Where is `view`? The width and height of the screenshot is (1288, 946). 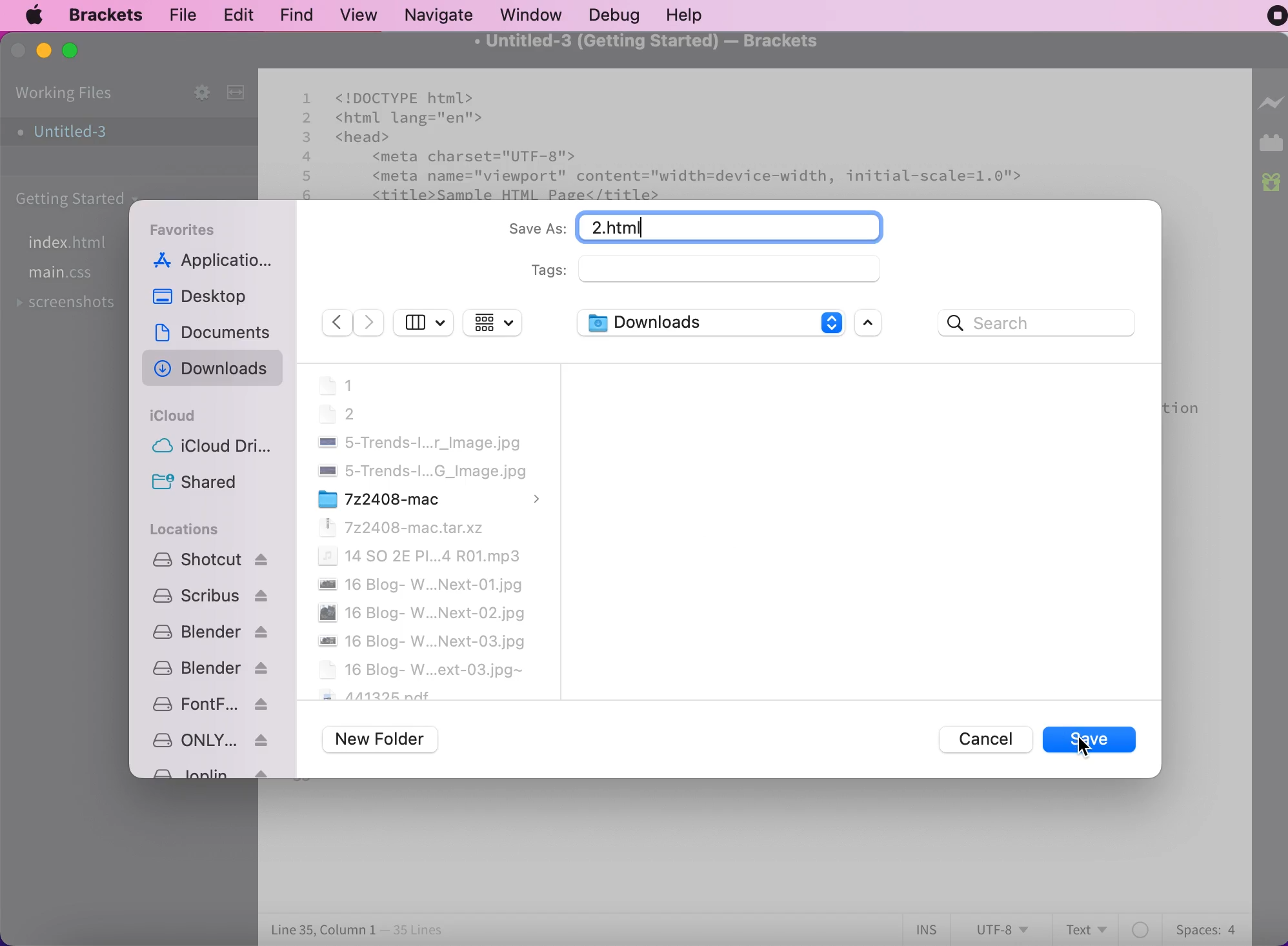 view is located at coordinates (361, 14).